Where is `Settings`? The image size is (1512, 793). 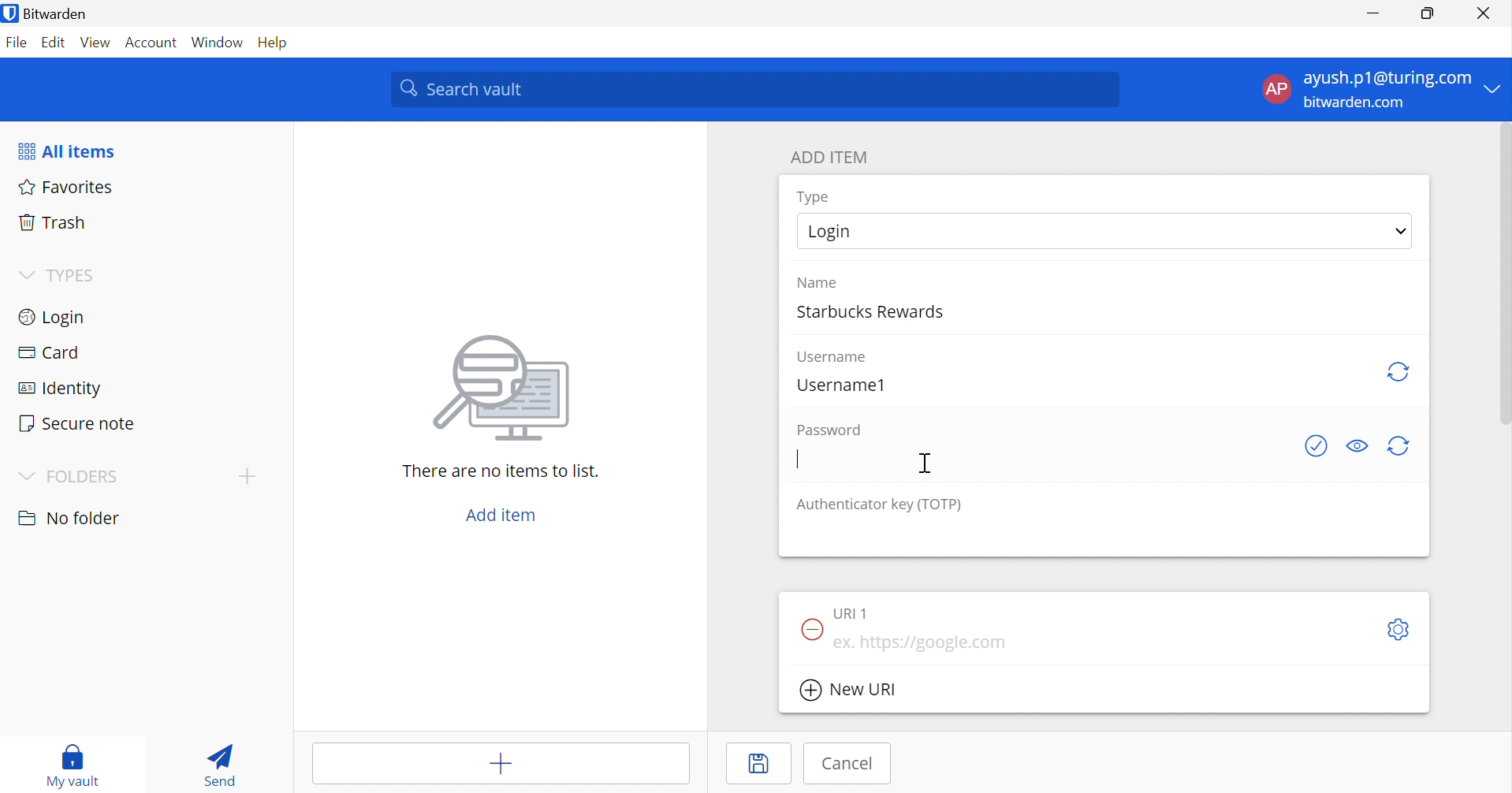
Settings is located at coordinates (1399, 629).